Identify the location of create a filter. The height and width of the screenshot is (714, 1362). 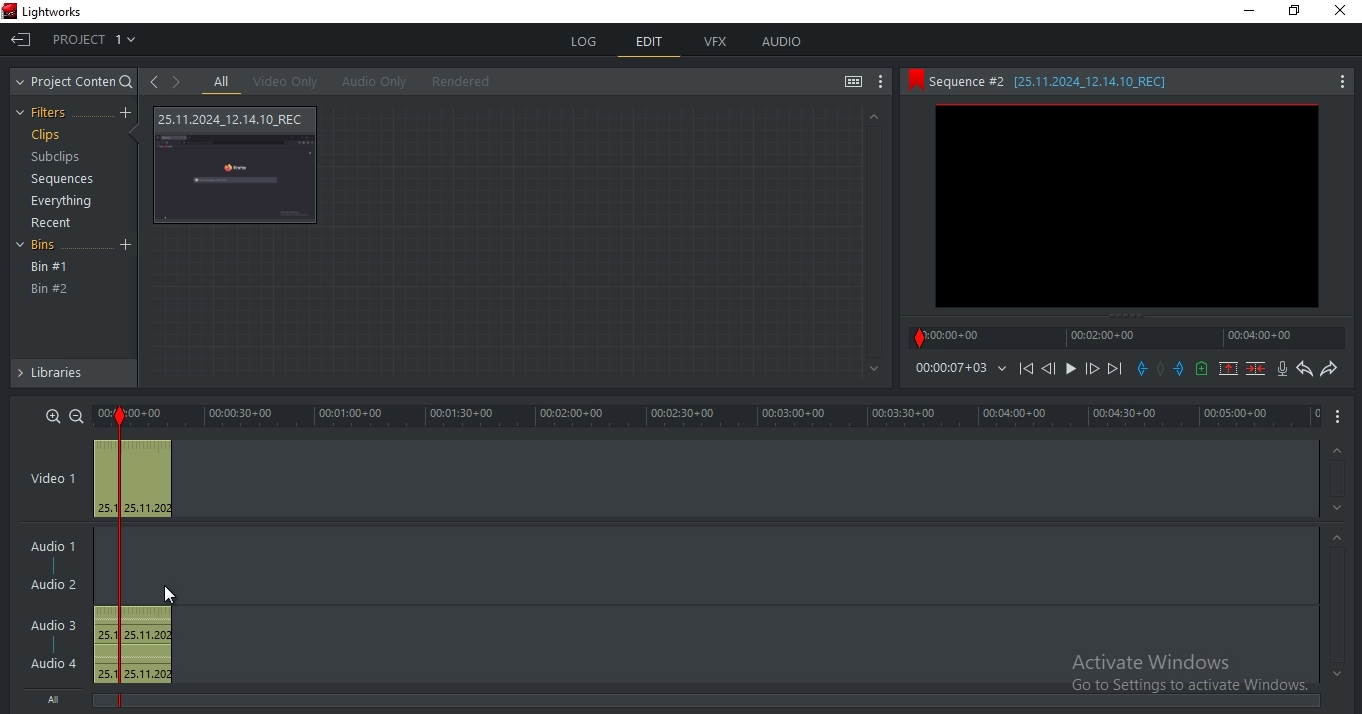
(125, 113).